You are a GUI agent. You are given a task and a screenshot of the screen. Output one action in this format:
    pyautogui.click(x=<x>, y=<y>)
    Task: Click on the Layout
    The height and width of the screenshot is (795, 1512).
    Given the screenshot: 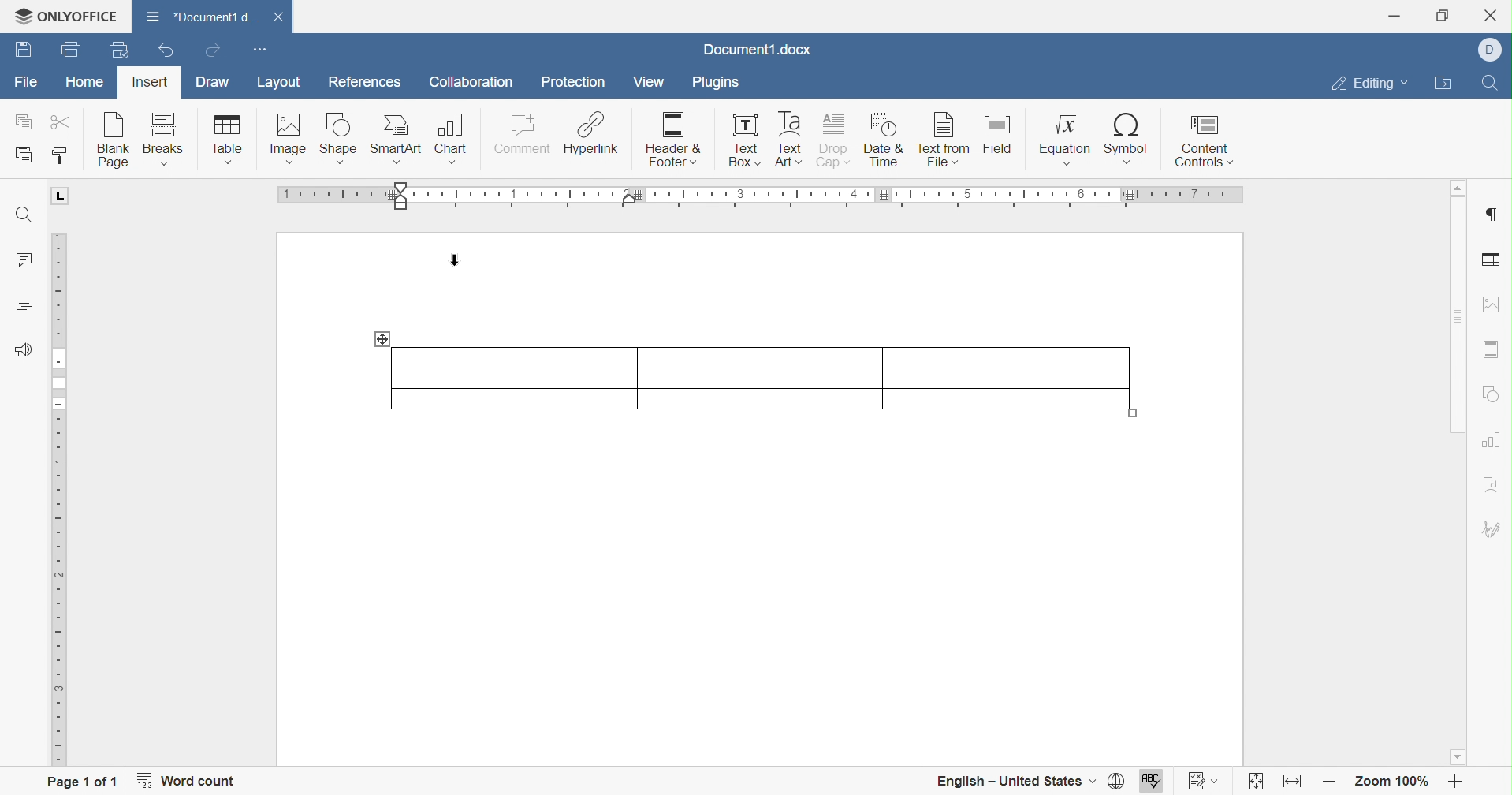 What is the action you would take?
    pyautogui.click(x=283, y=82)
    